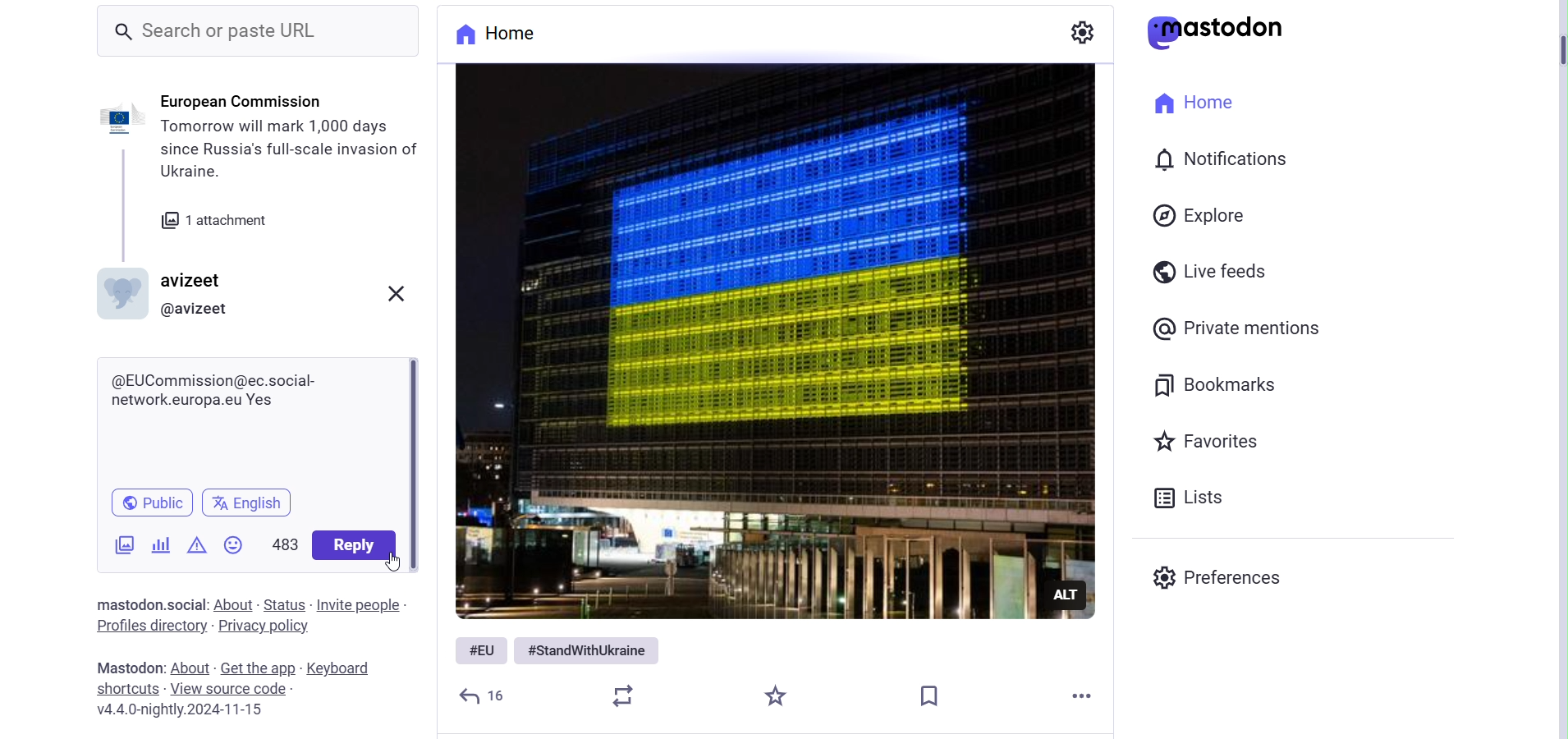  Describe the element at coordinates (155, 627) in the screenshot. I see `Profile Directory` at that location.